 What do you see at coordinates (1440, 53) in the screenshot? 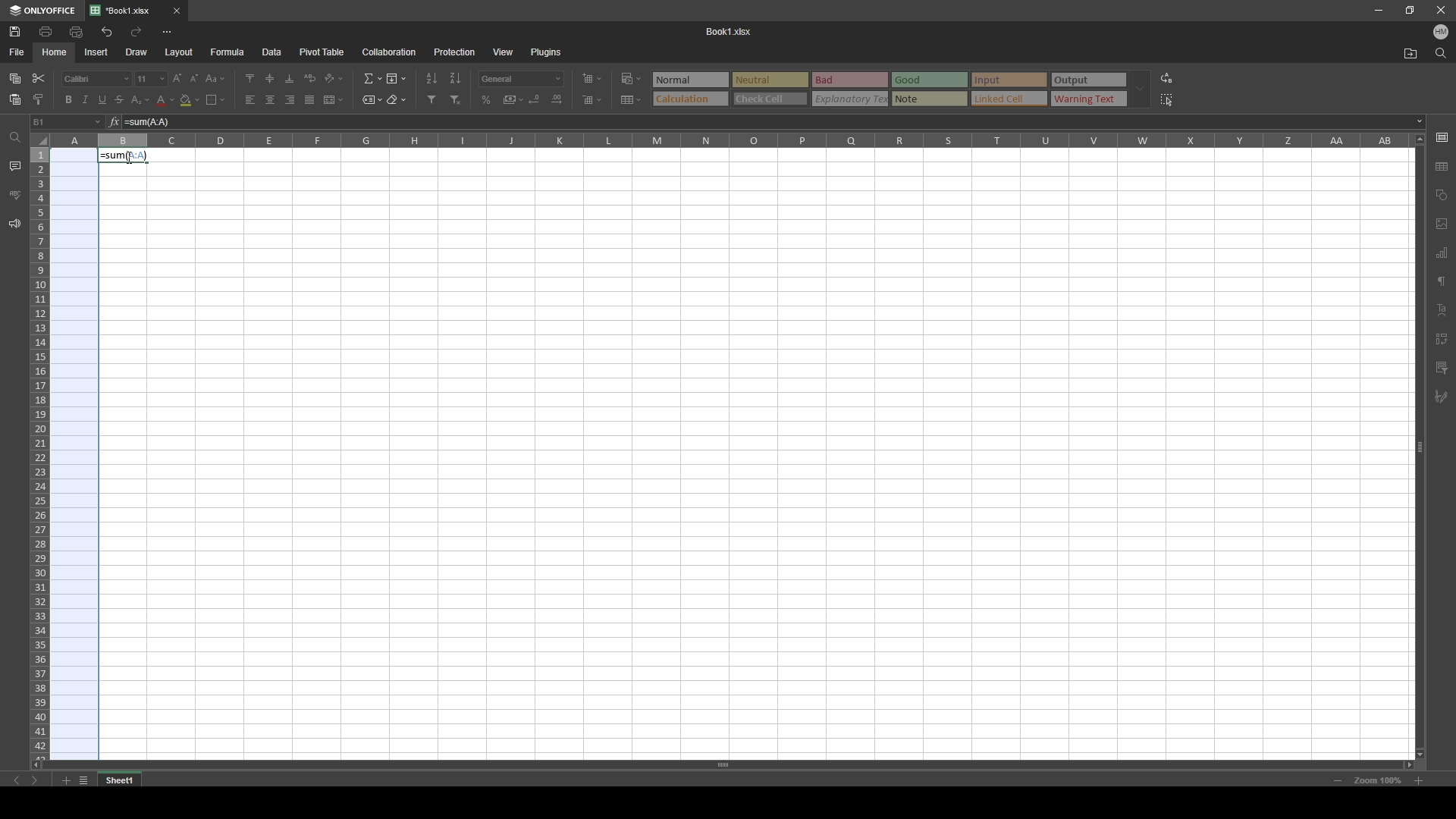
I see `search` at bounding box center [1440, 53].